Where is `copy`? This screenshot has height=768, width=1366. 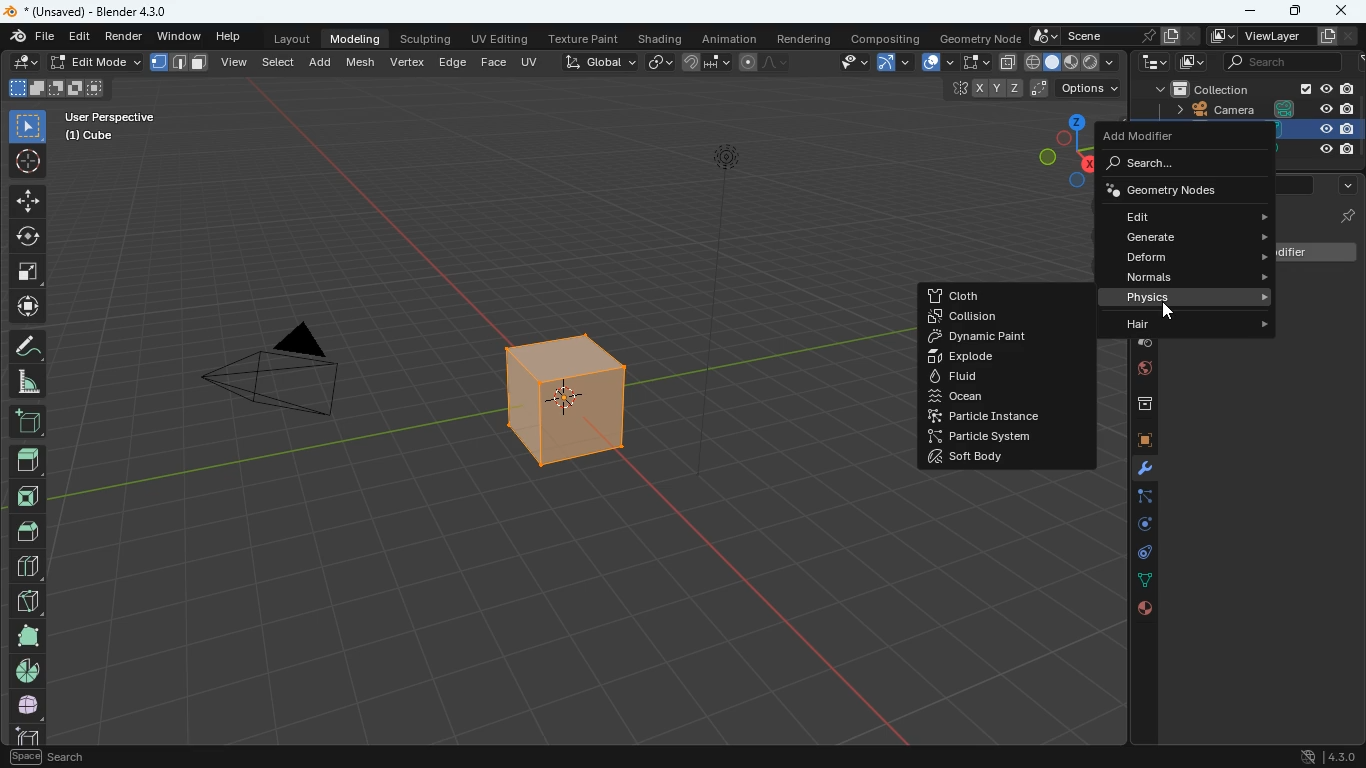 copy is located at coordinates (1008, 63).